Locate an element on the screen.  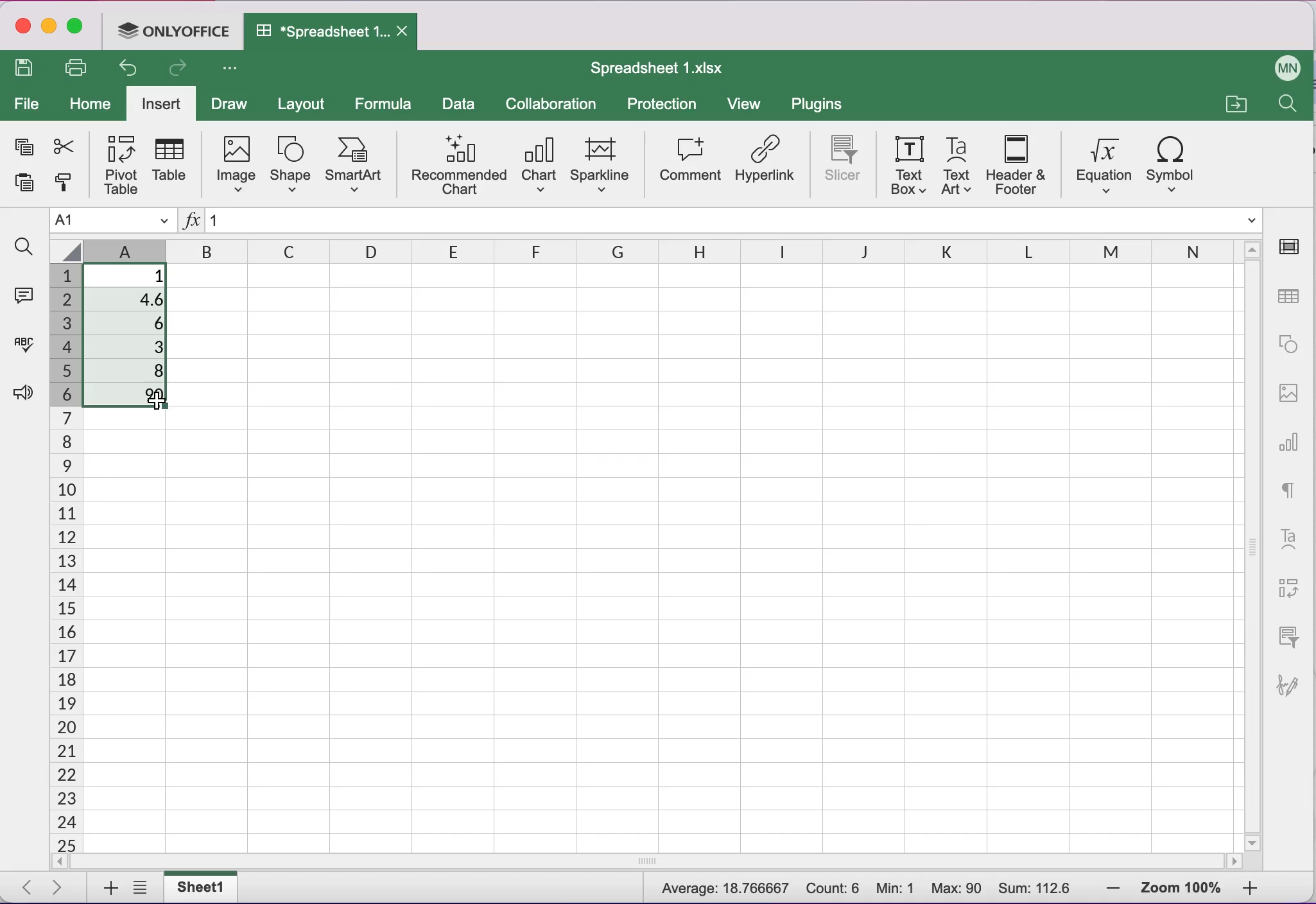
minimize is located at coordinates (50, 28).